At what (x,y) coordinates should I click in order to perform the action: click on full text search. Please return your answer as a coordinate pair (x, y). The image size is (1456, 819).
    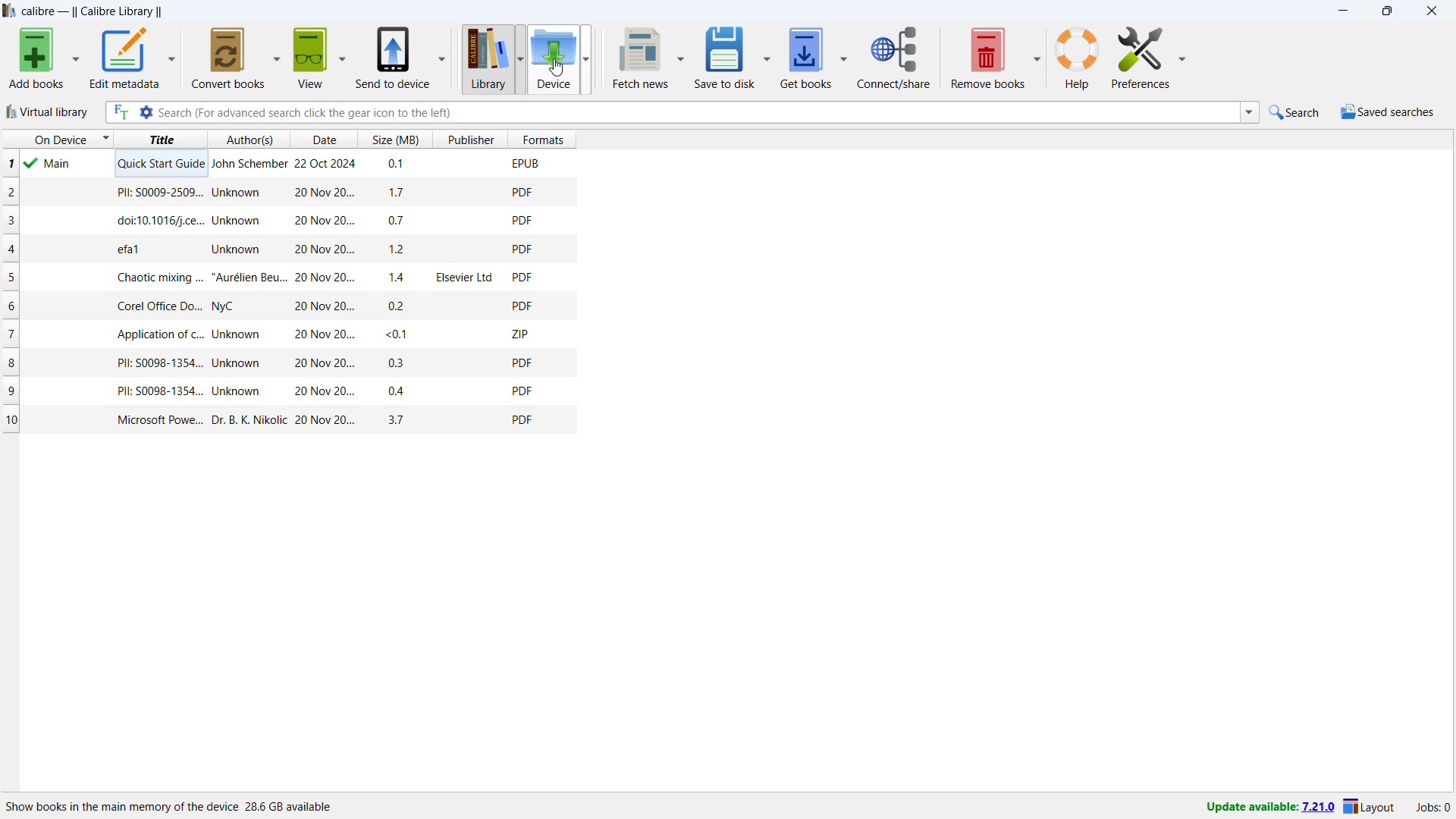
    Looking at the image, I should click on (119, 113).